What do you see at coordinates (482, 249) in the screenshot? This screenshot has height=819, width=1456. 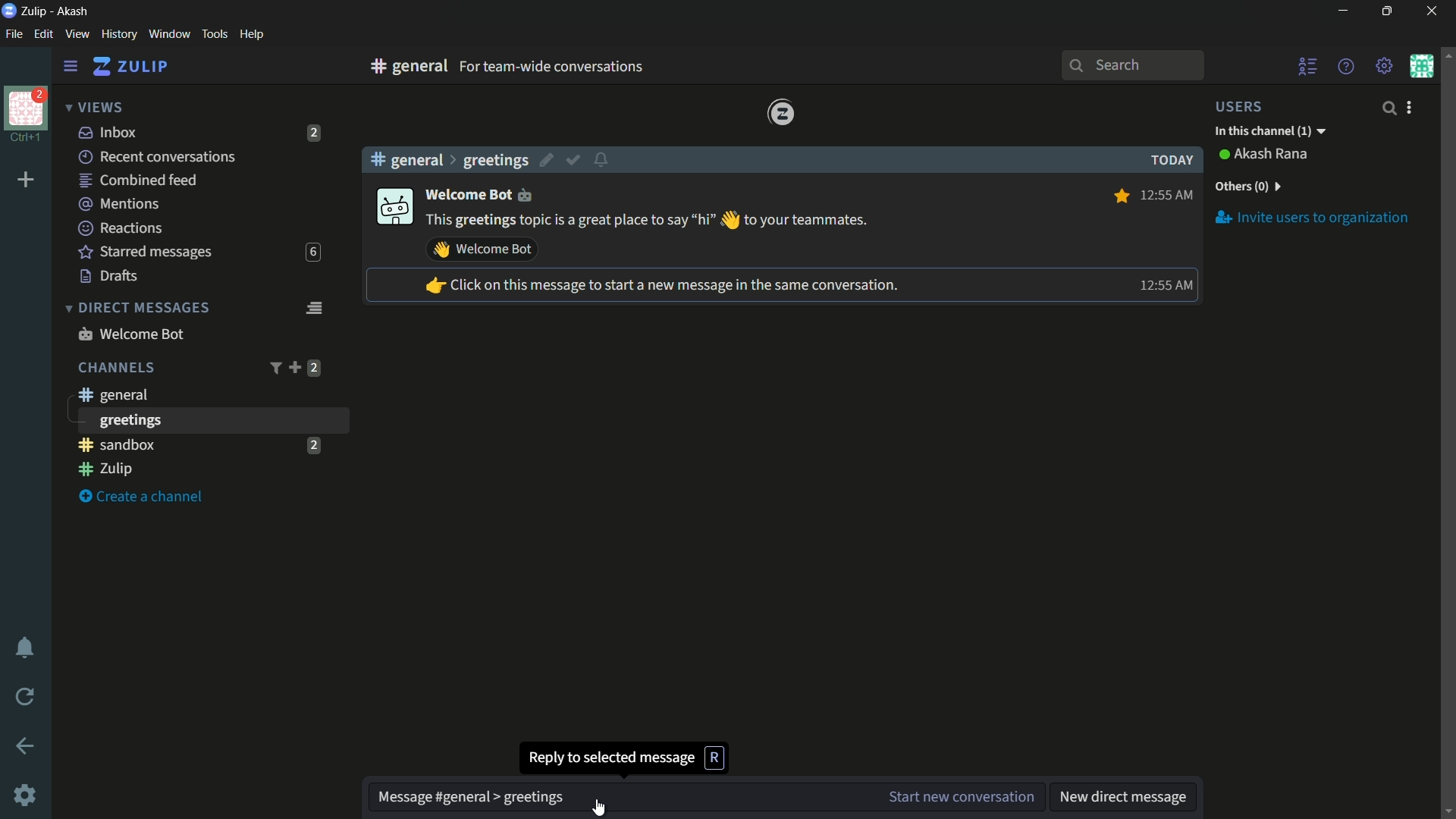 I see `Send wave emoji to welcome bot` at bounding box center [482, 249].